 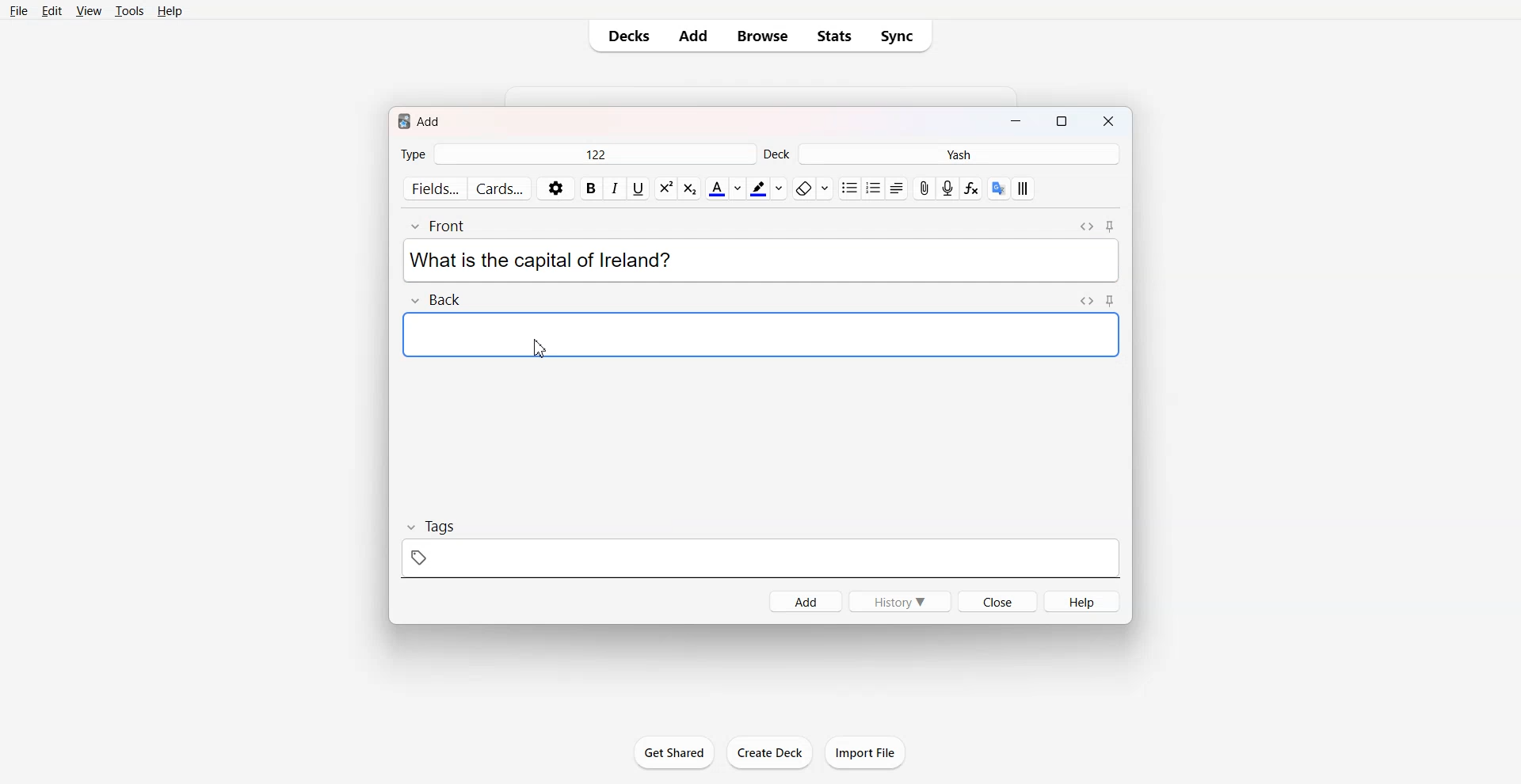 What do you see at coordinates (760, 36) in the screenshot?
I see `Browse` at bounding box center [760, 36].